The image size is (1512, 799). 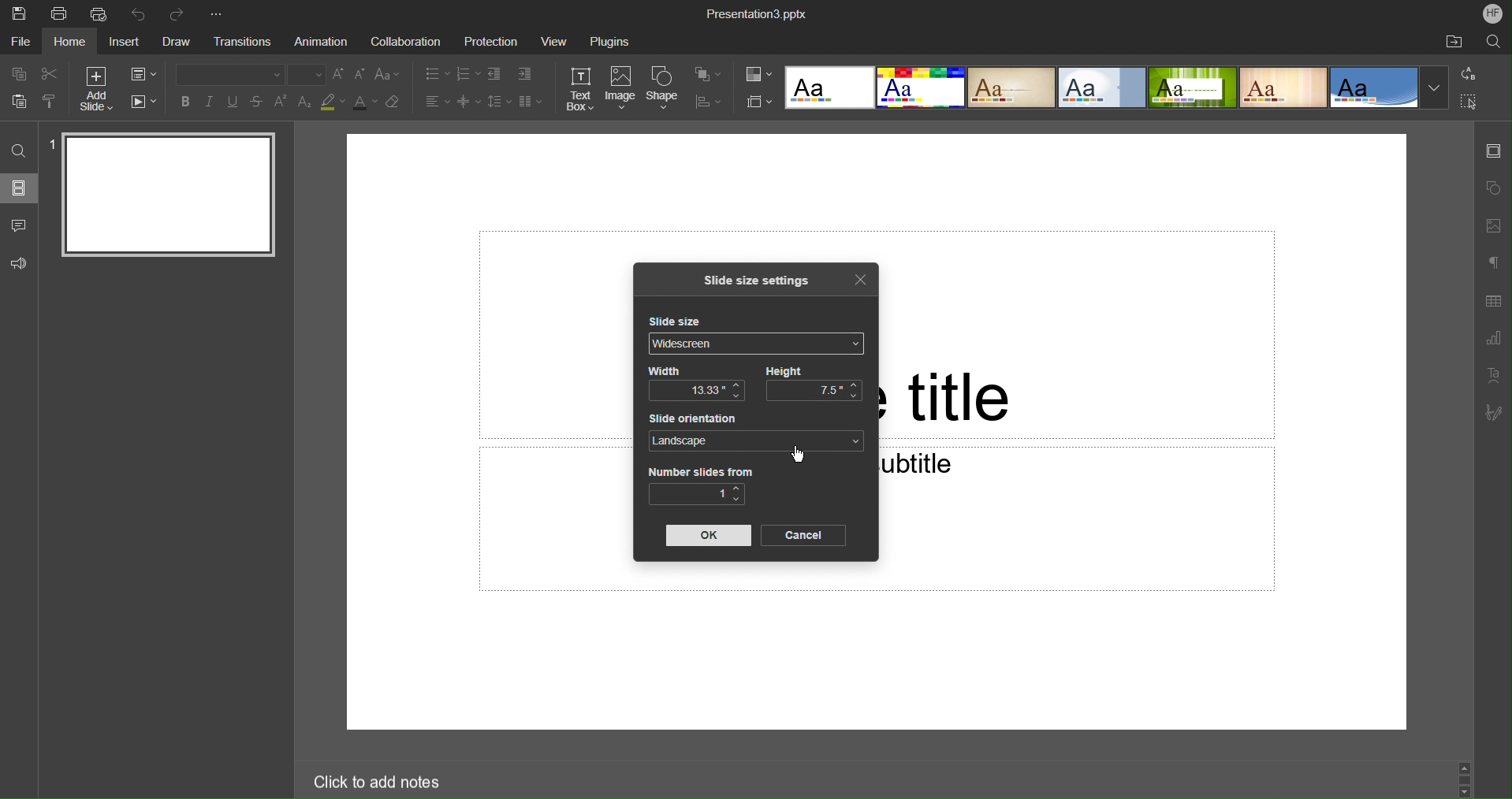 What do you see at coordinates (220, 11) in the screenshot?
I see `More` at bounding box center [220, 11].